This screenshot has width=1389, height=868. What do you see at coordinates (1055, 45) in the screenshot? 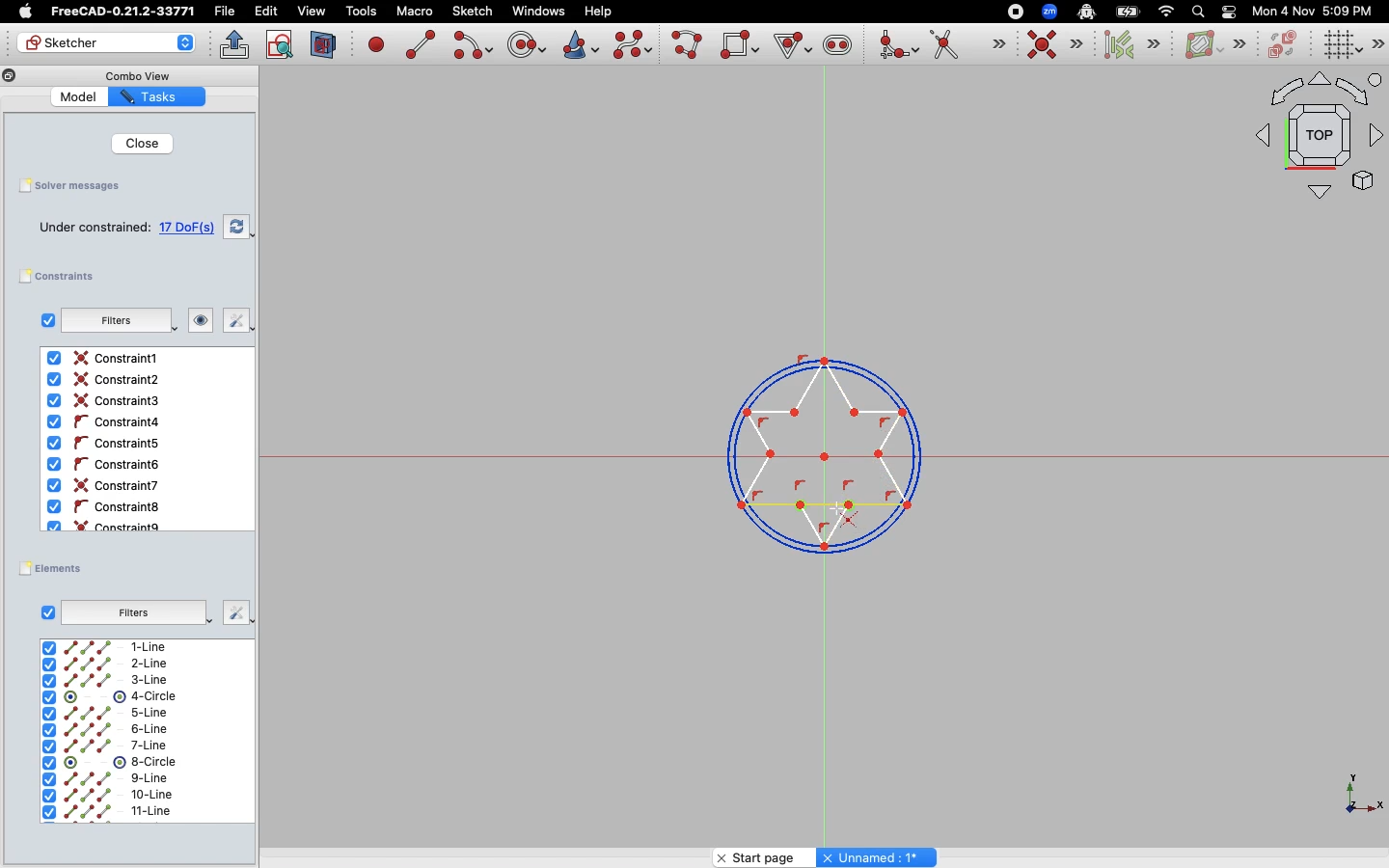
I see `Constraint coincident` at bounding box center [1055, 45].